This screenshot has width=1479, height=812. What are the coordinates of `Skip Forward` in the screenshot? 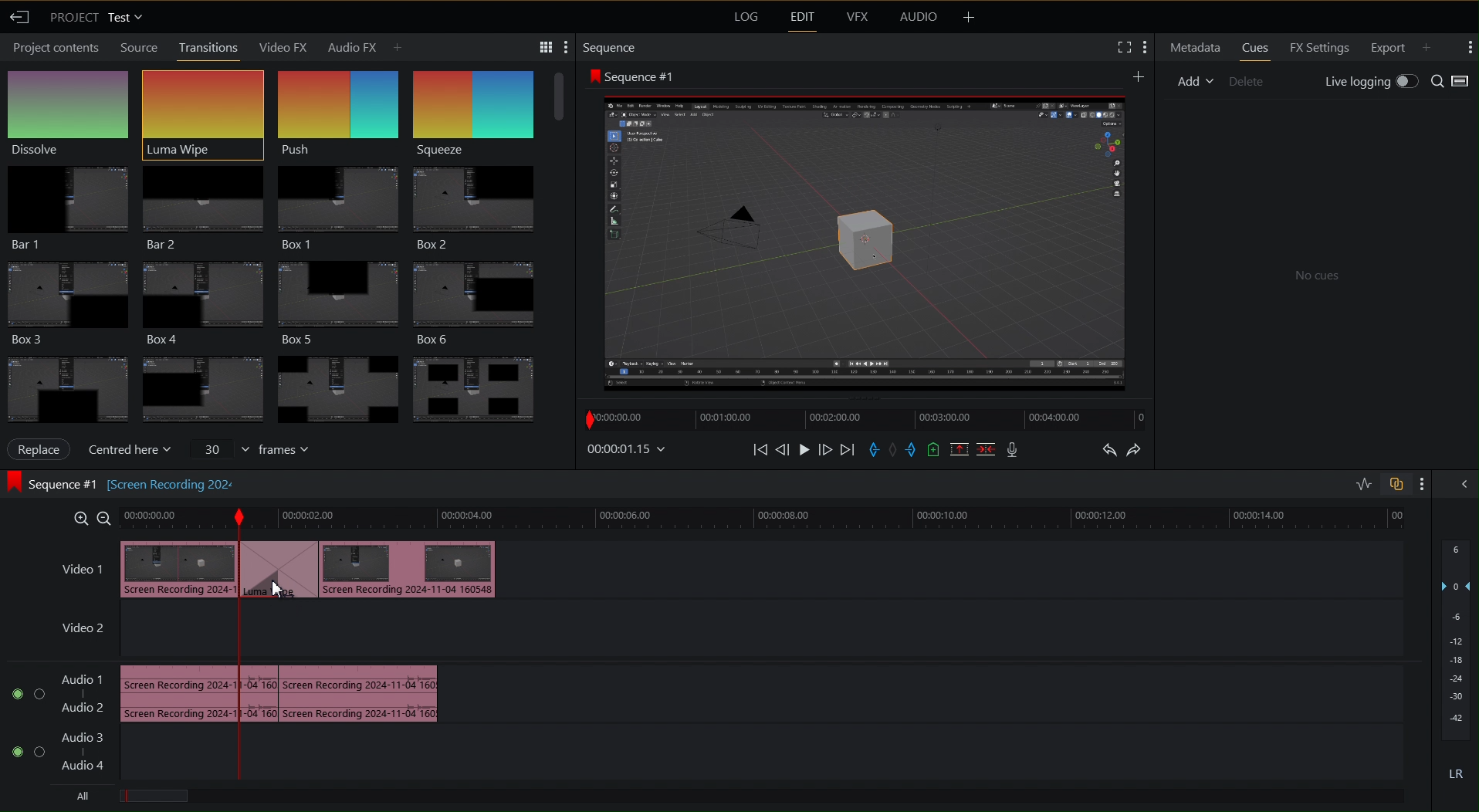 It's located at (846, 450).